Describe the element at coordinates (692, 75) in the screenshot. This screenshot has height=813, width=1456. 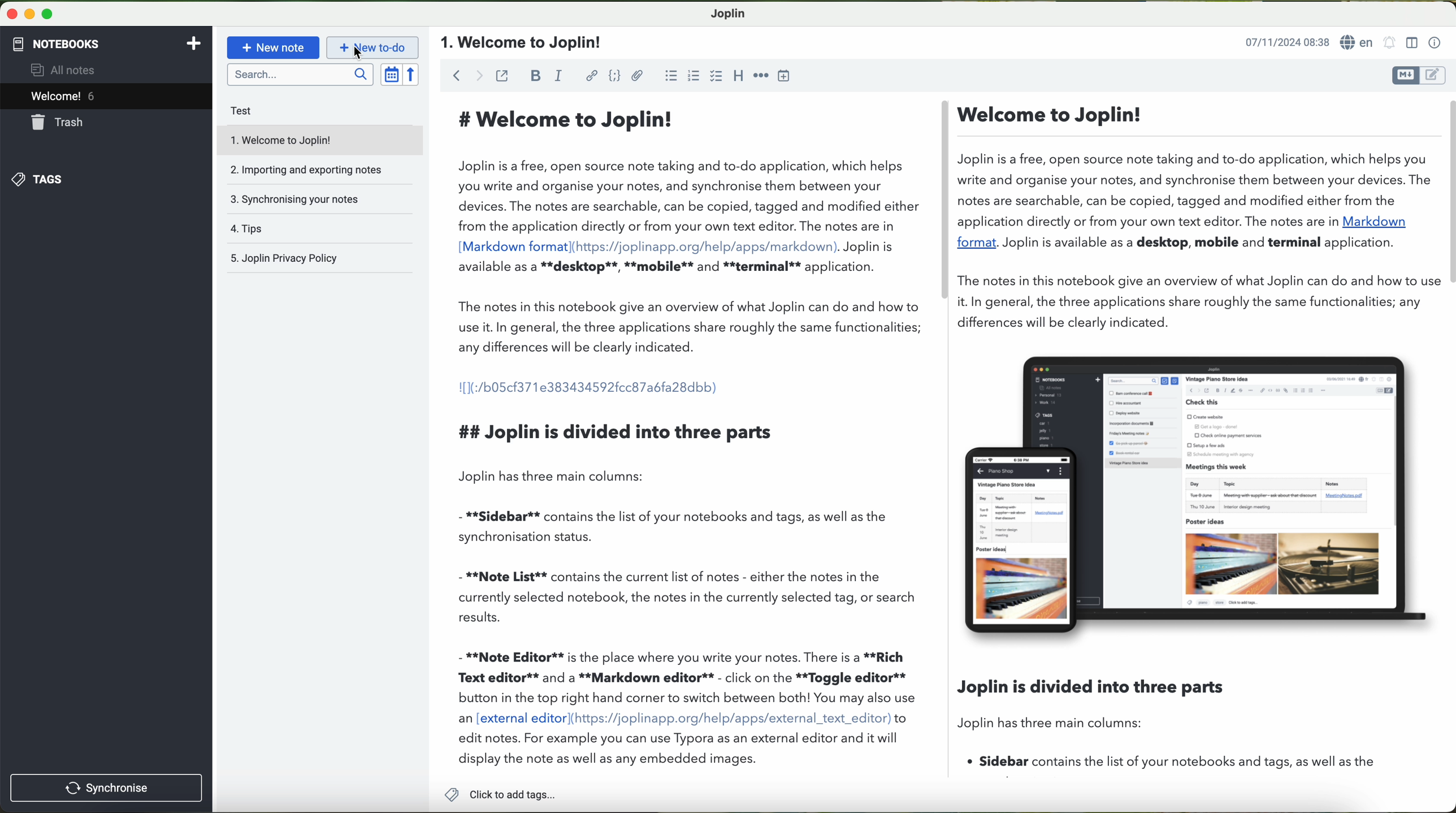
I see `numbered list` at that location.